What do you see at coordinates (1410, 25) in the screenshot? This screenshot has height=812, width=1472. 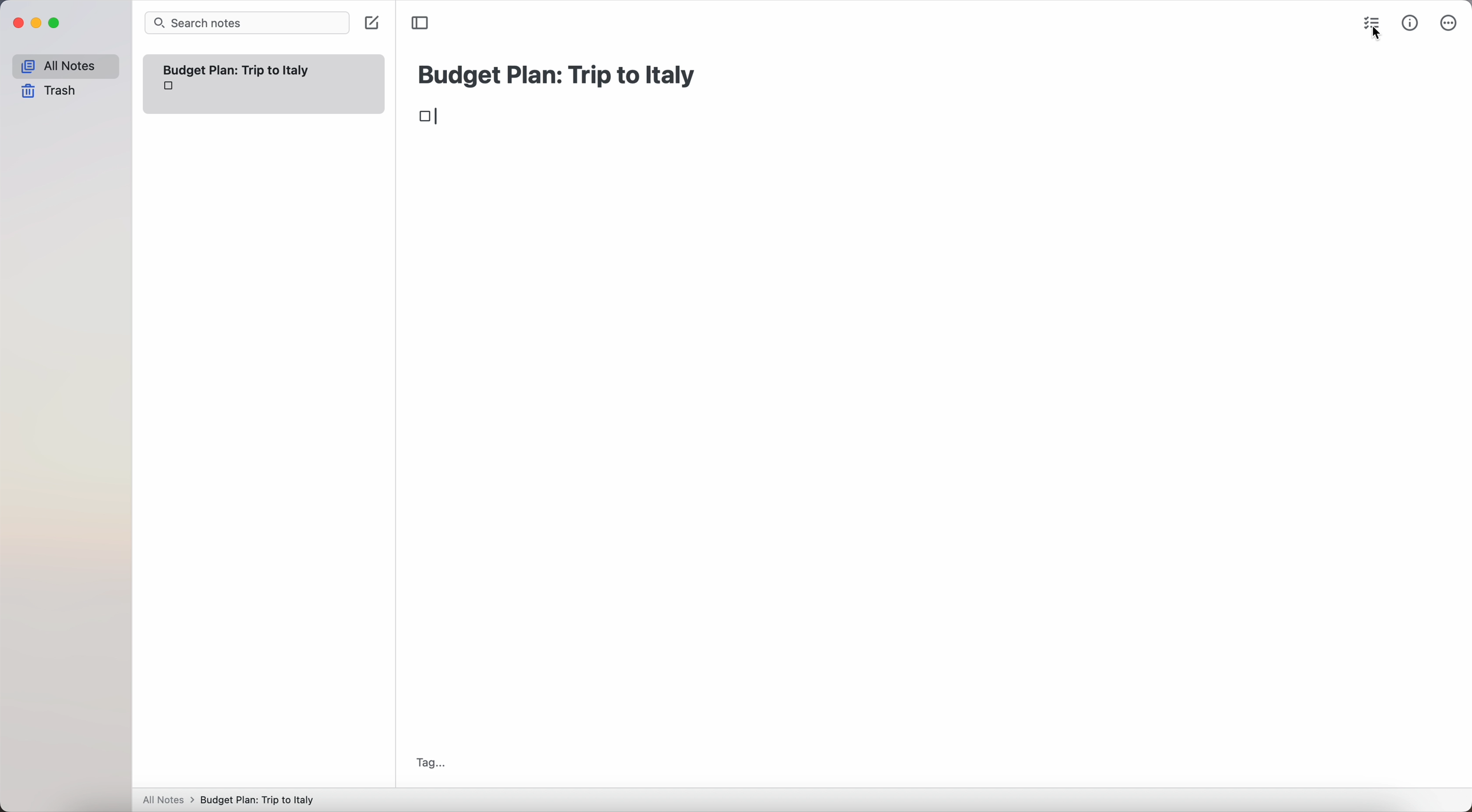 I see `metrics` at bounding box center [1410, 25].